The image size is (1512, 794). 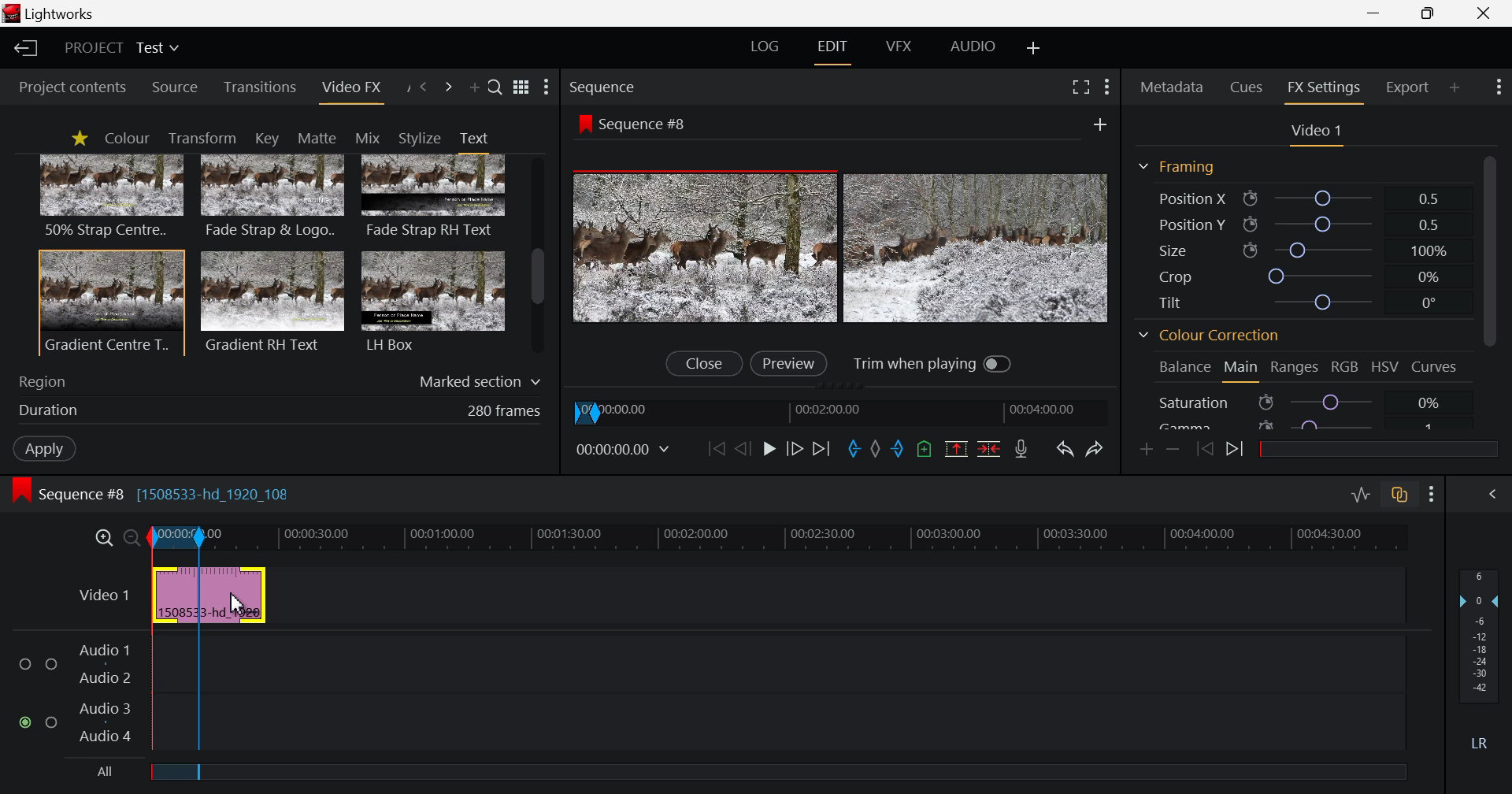 What do you see at coordinates (280, 378) in the screenshot?
I see `Region` at bounding box center [280, 378].